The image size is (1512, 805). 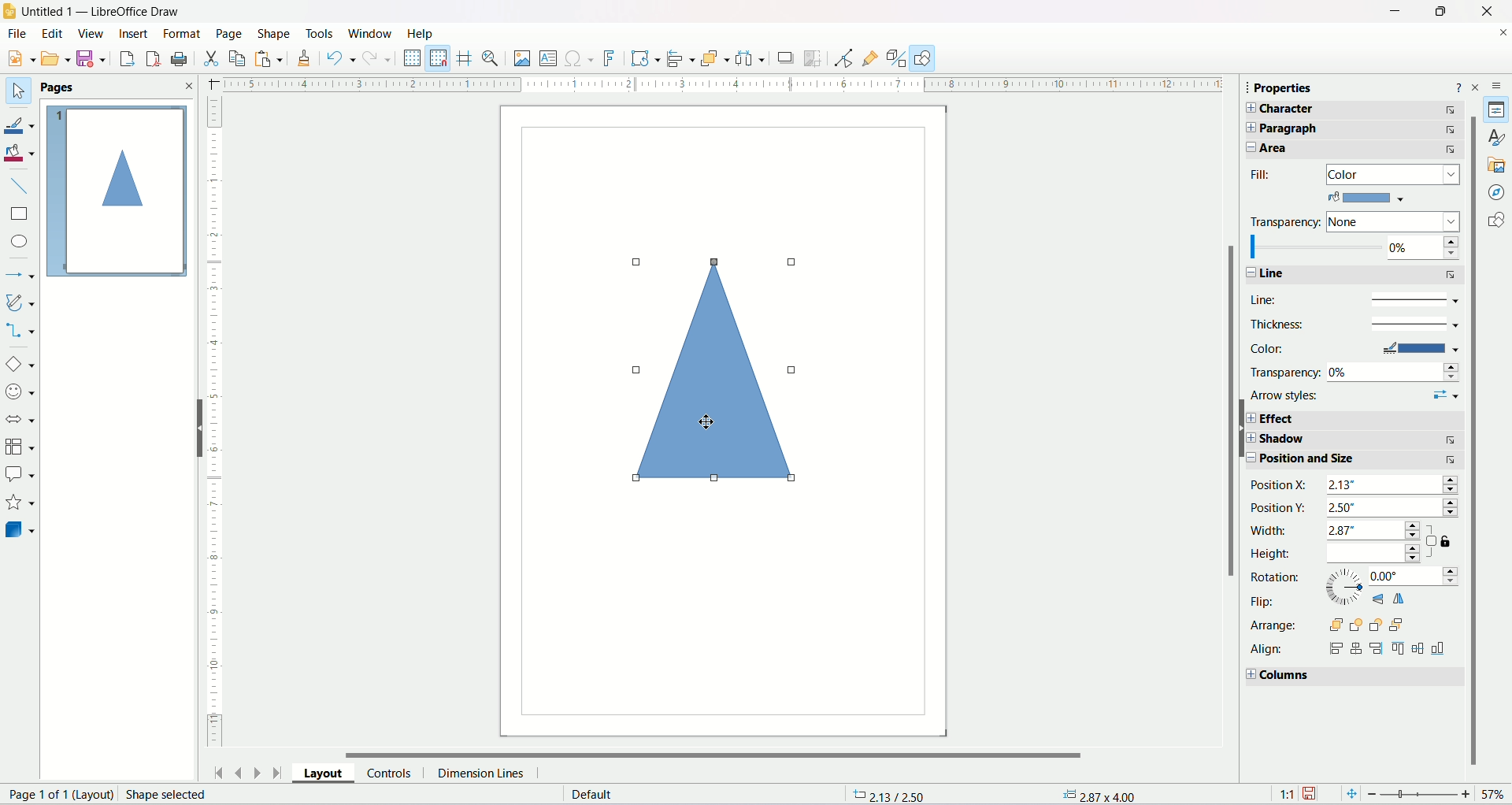 I want to click on Shapes, so click(x=1499, y=220).